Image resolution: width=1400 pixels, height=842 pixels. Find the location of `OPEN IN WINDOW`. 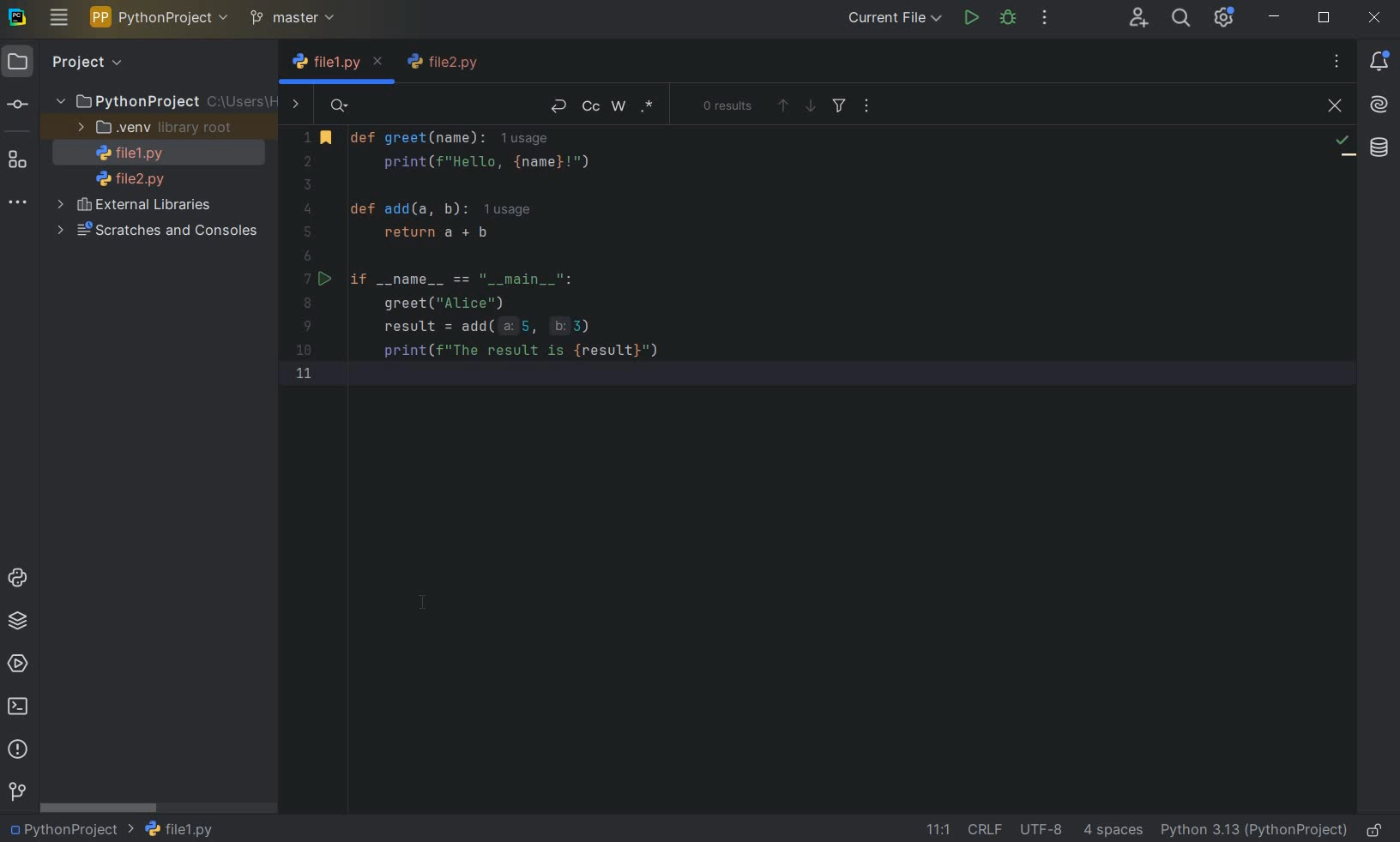

OPEN IN WINDOW is located at coordinates (866, 105).